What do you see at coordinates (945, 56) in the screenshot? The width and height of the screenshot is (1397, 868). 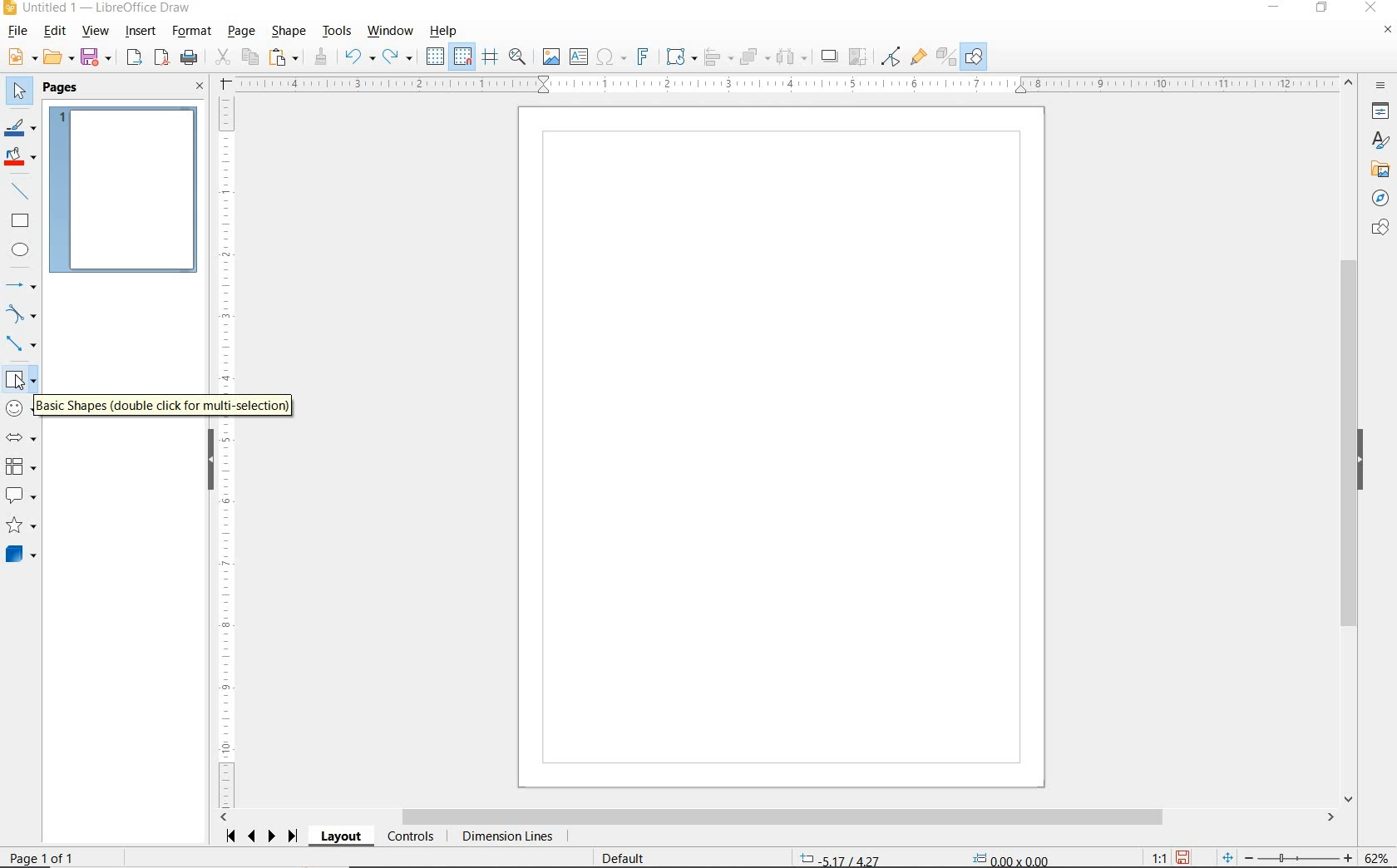 I see `TOGGLE EXTRUSION` at bounding box center [945, 56].